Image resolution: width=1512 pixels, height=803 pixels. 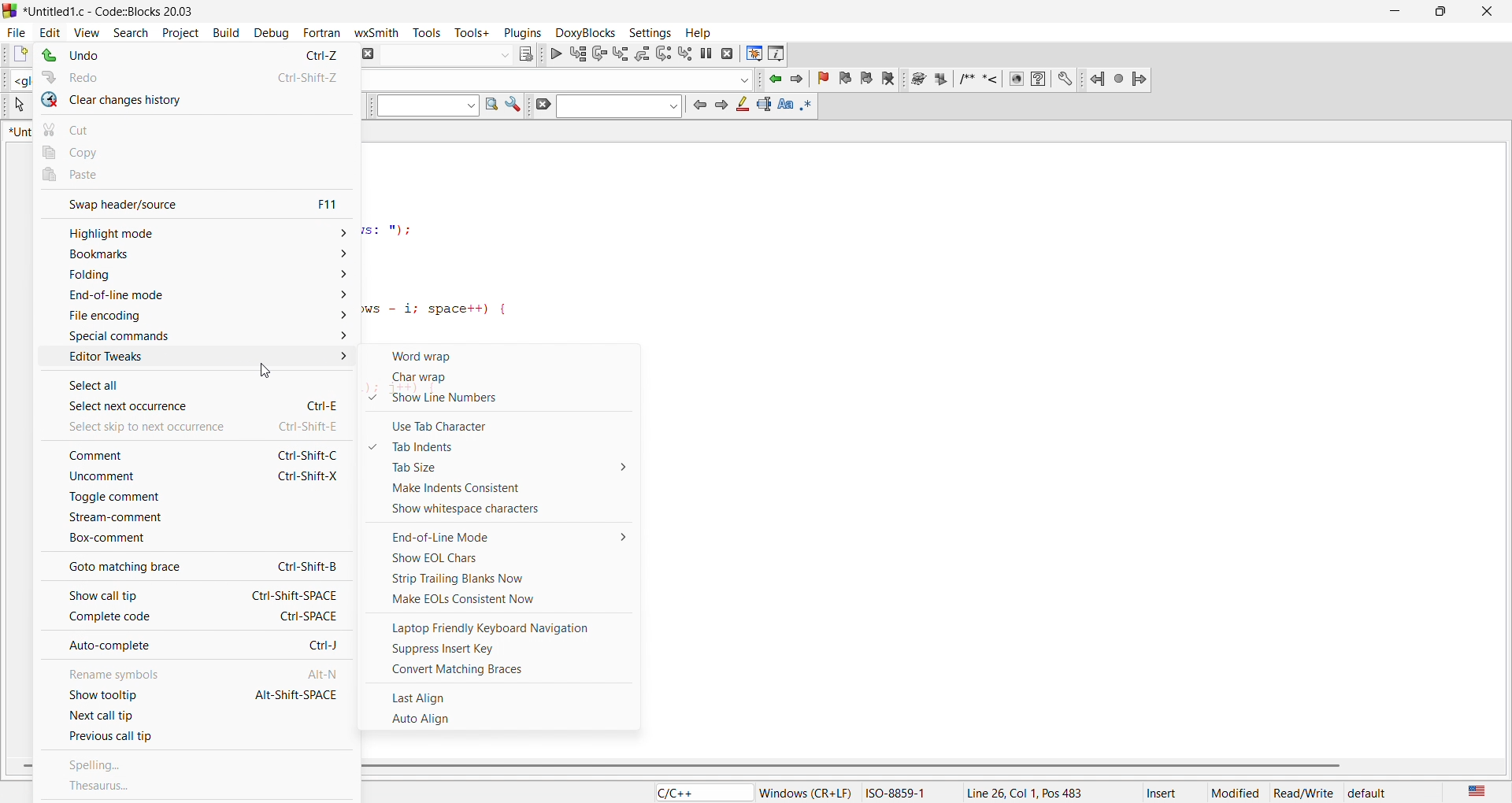 What do you see at coordinates (167, 204) in the screenshot?
I see `swap` at bounding box center [167, 204].